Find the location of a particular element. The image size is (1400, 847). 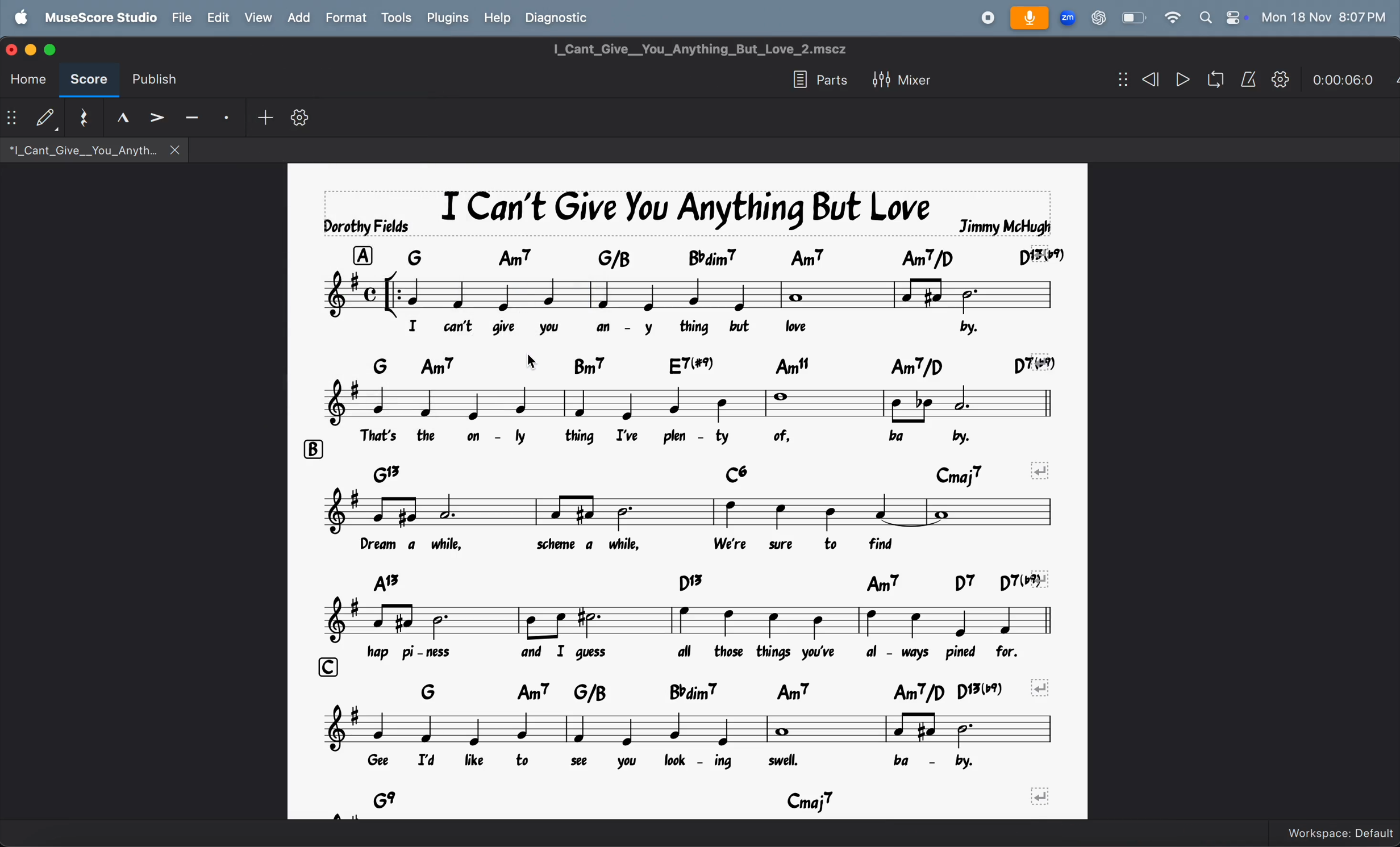

musescore studio is located at coordinates (98, 18).